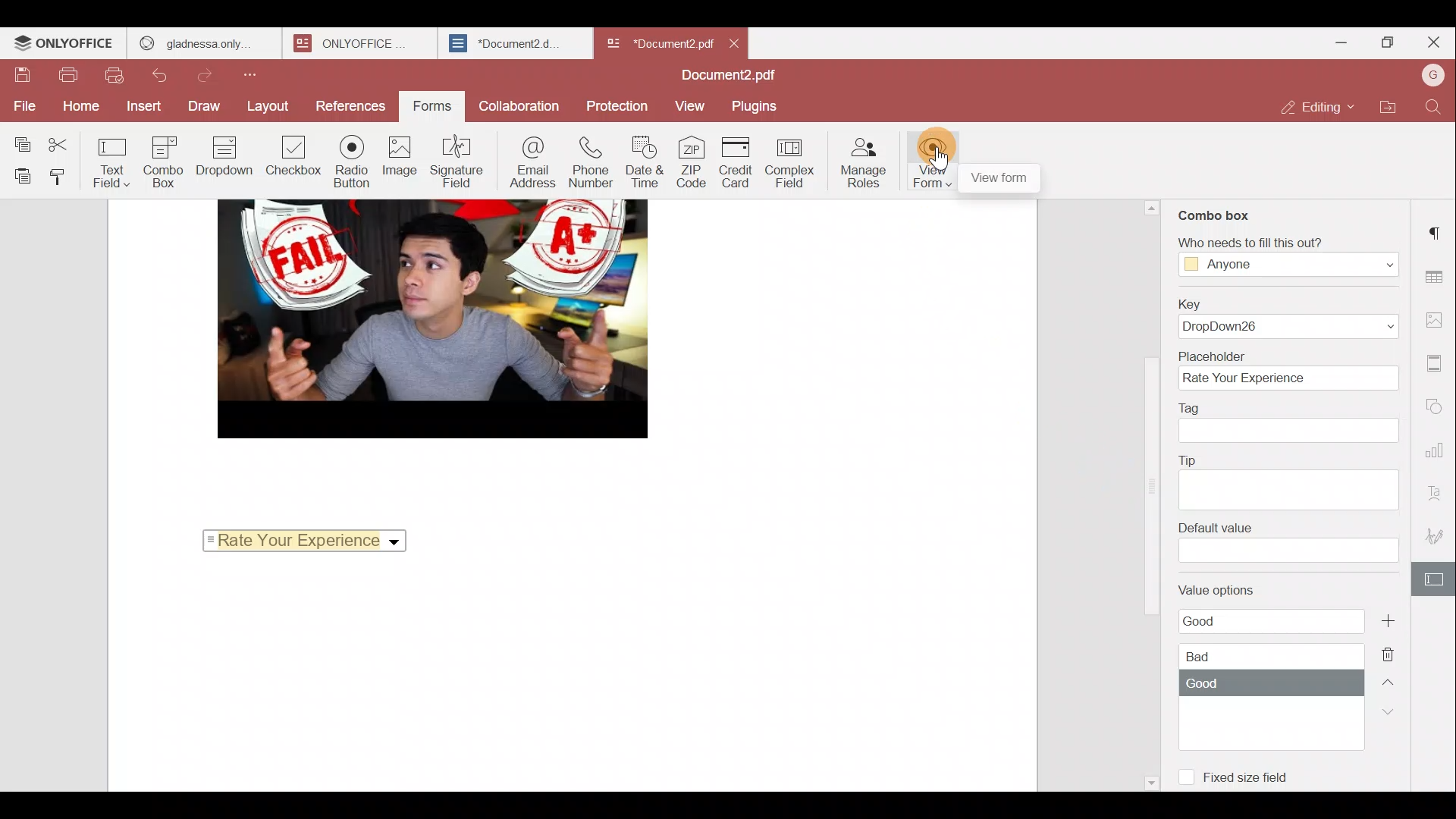 The width and height of the screenshot is (1456, 819). I want to click on Layout, so click(267, 108).